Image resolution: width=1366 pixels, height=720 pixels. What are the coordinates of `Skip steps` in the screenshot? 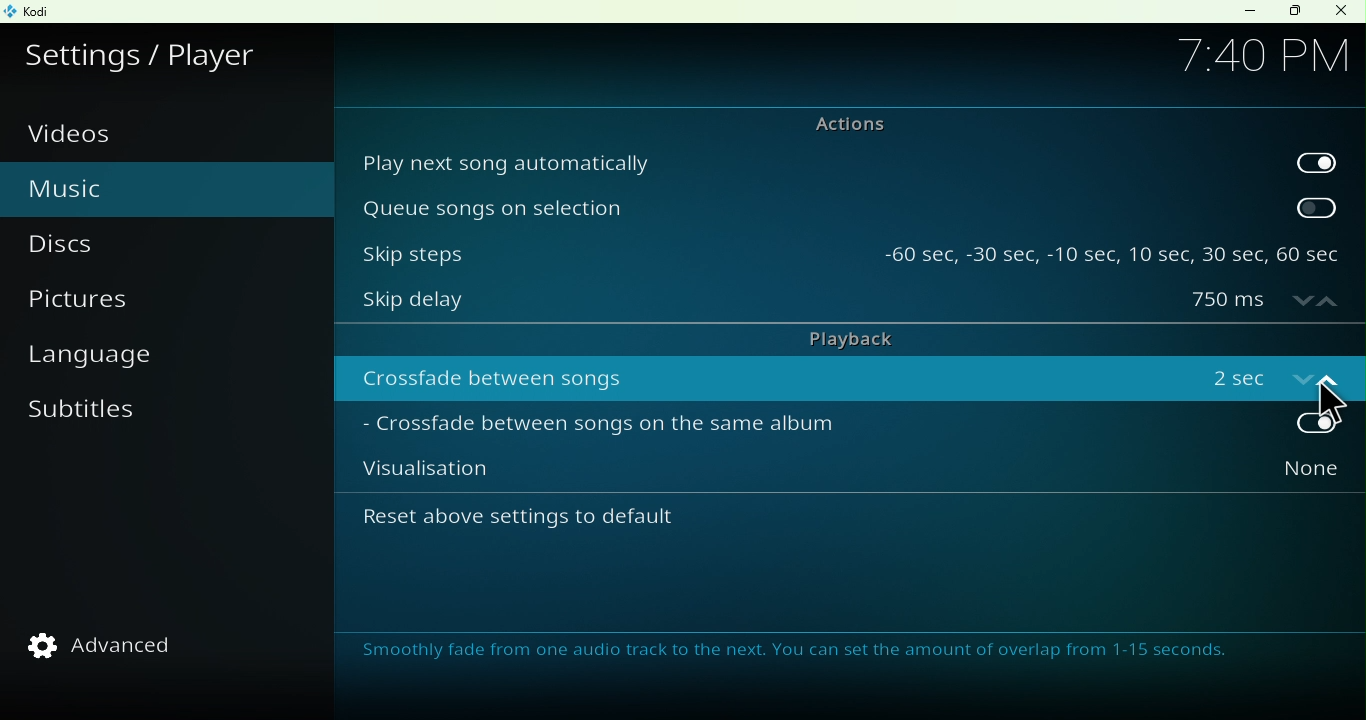 It's located at (606, 248).